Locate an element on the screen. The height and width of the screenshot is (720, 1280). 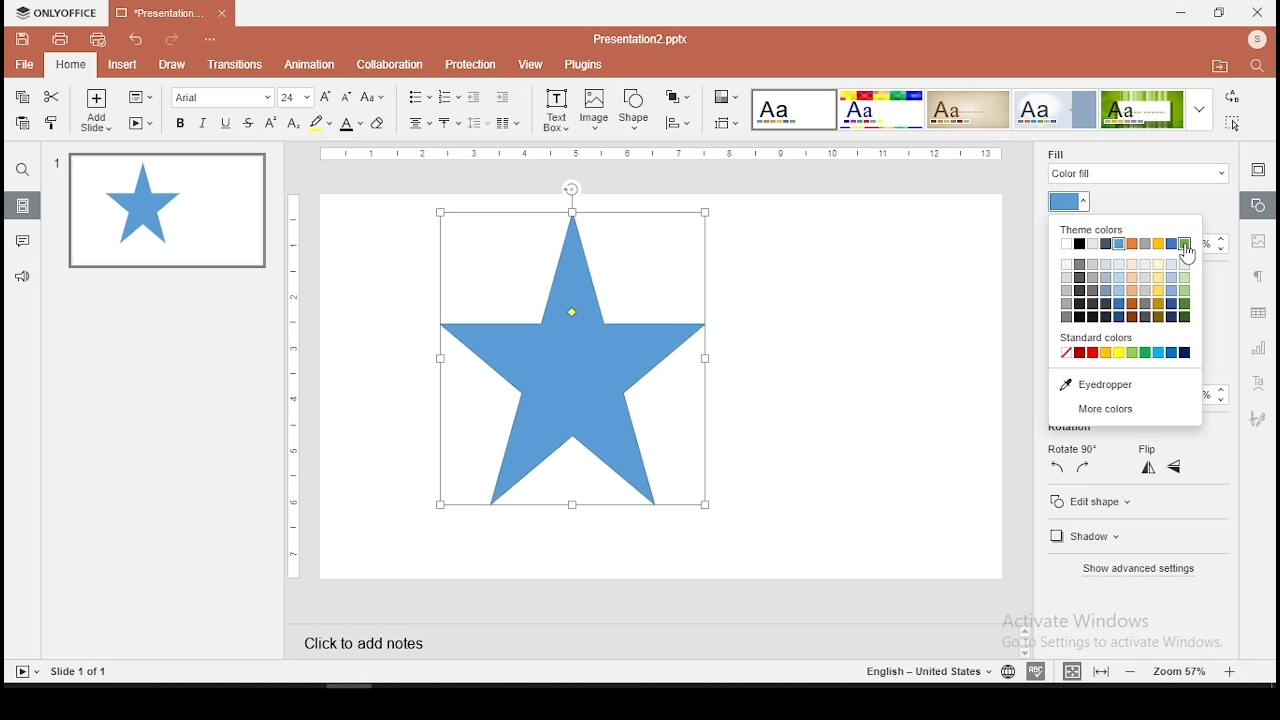
fit to width is located at coordinates (1072, 670).